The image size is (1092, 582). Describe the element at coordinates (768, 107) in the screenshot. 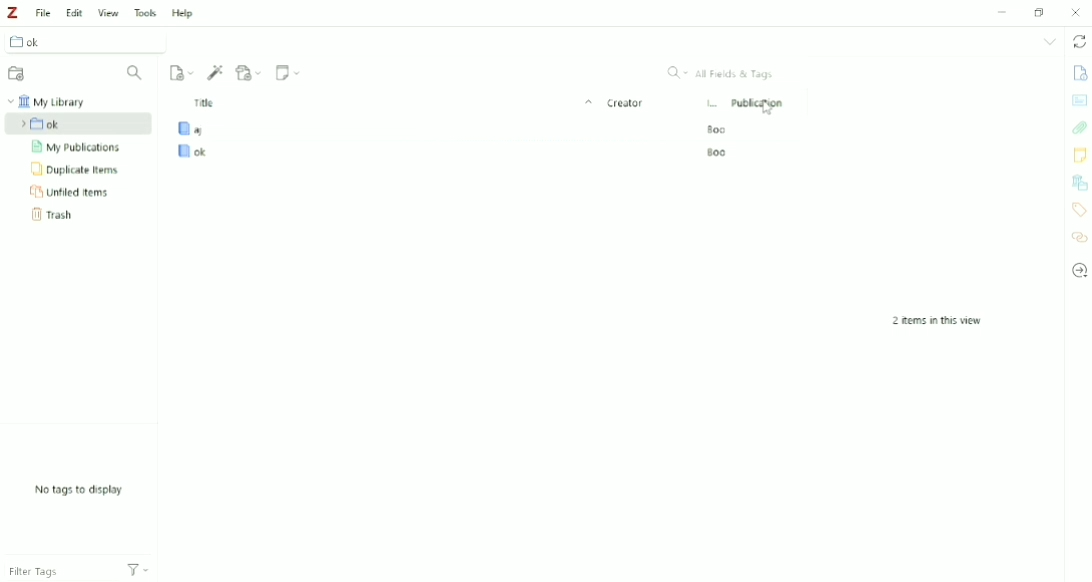

I see `Cursor` at that location.